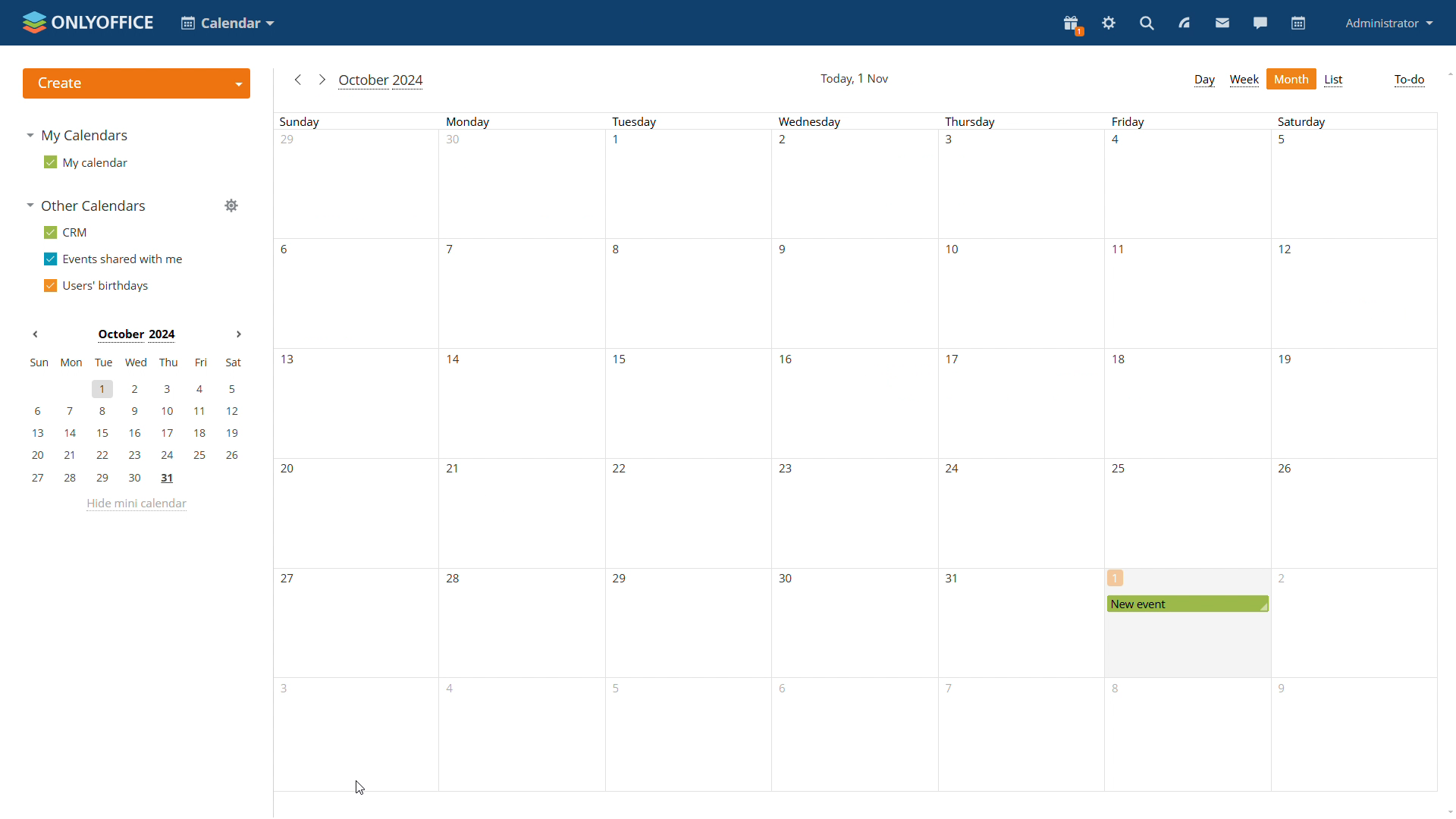 The image size is (1456, 819). Describe the element at coordinates (36, 336) in the screenshot. I see `Previous month` at that location.